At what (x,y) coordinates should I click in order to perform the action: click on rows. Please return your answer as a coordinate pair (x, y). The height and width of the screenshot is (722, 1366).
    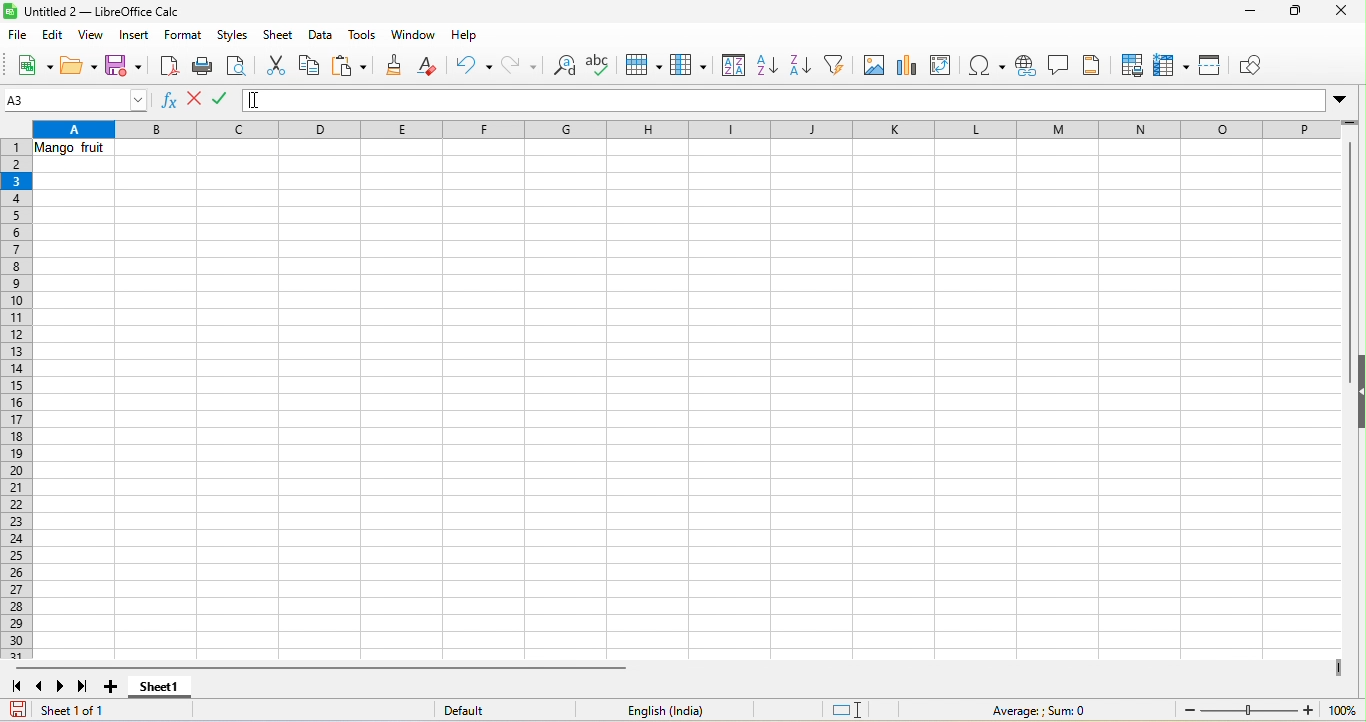
    Looking at the image, I should click on (18, 400).